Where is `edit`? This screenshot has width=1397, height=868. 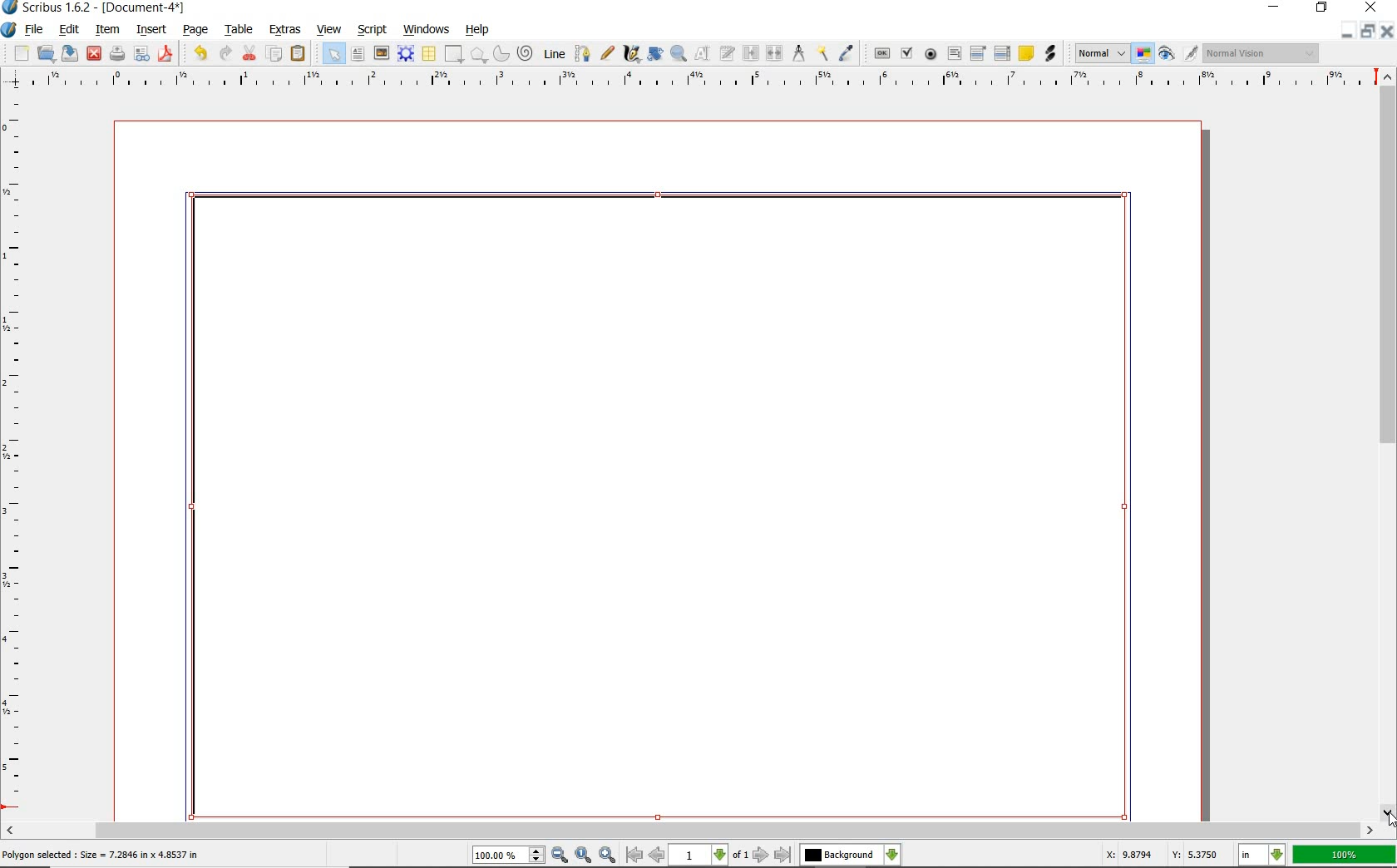
edit is located at coordinates (70, 29).